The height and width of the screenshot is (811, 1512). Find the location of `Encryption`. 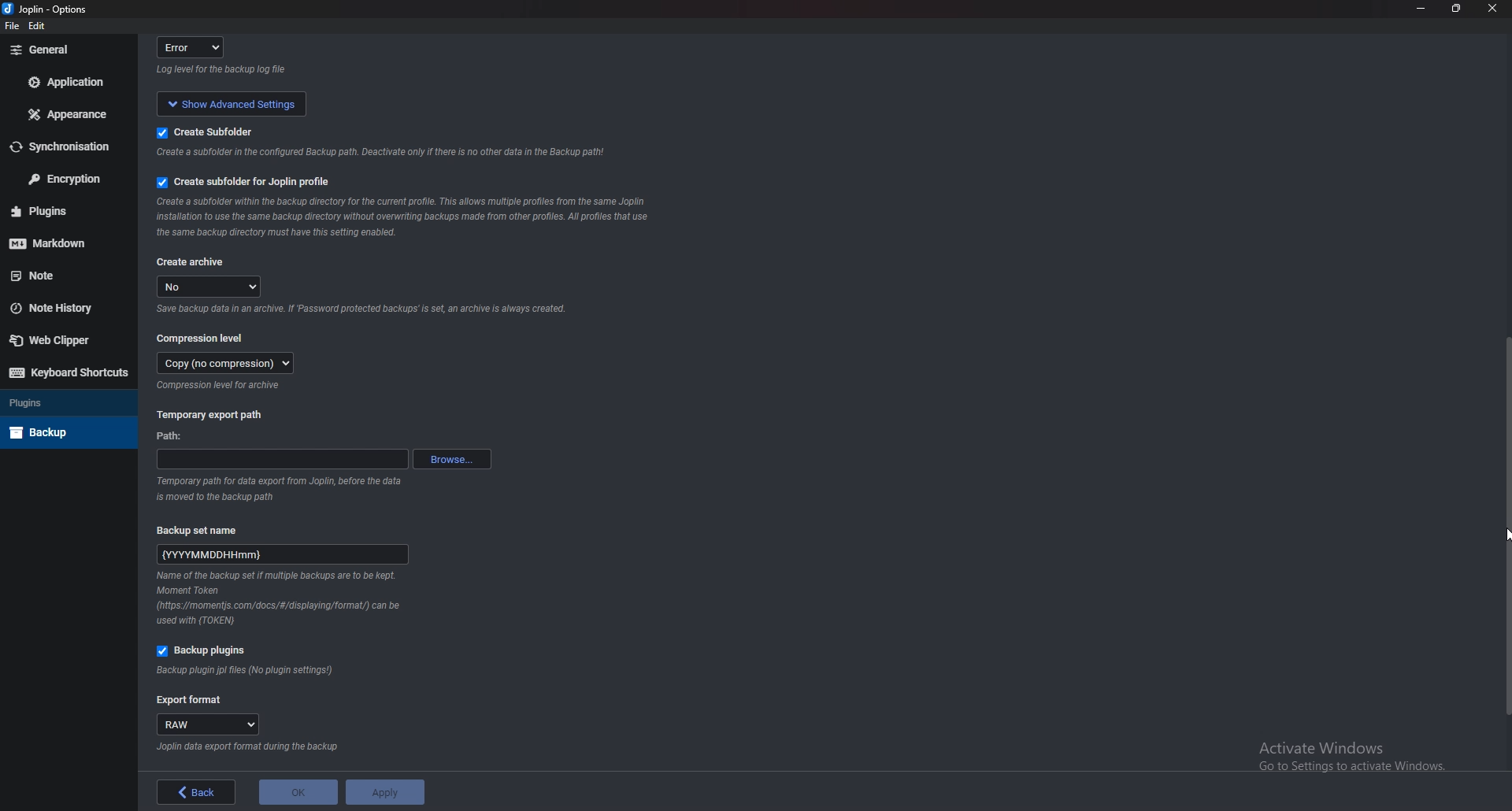

Encryption is located at coordinates (65, 178).